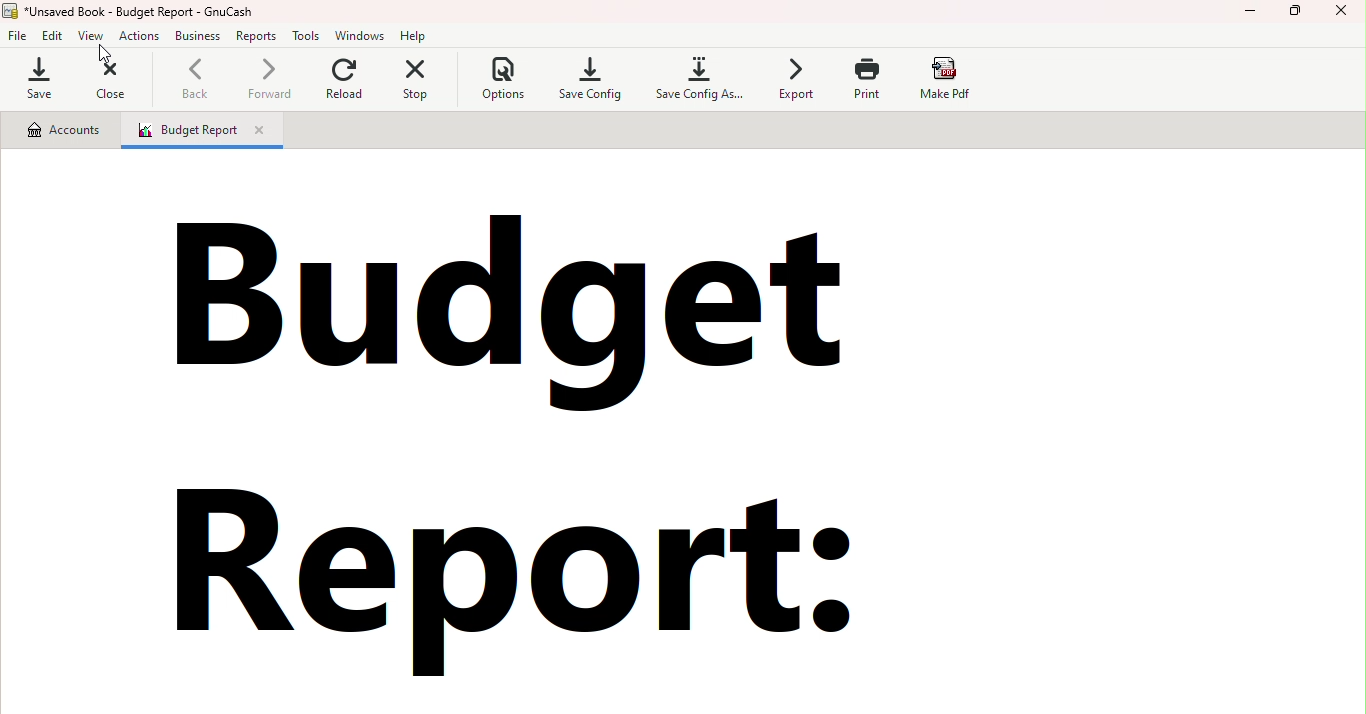  I want to click on Windows, so click(363, 34).